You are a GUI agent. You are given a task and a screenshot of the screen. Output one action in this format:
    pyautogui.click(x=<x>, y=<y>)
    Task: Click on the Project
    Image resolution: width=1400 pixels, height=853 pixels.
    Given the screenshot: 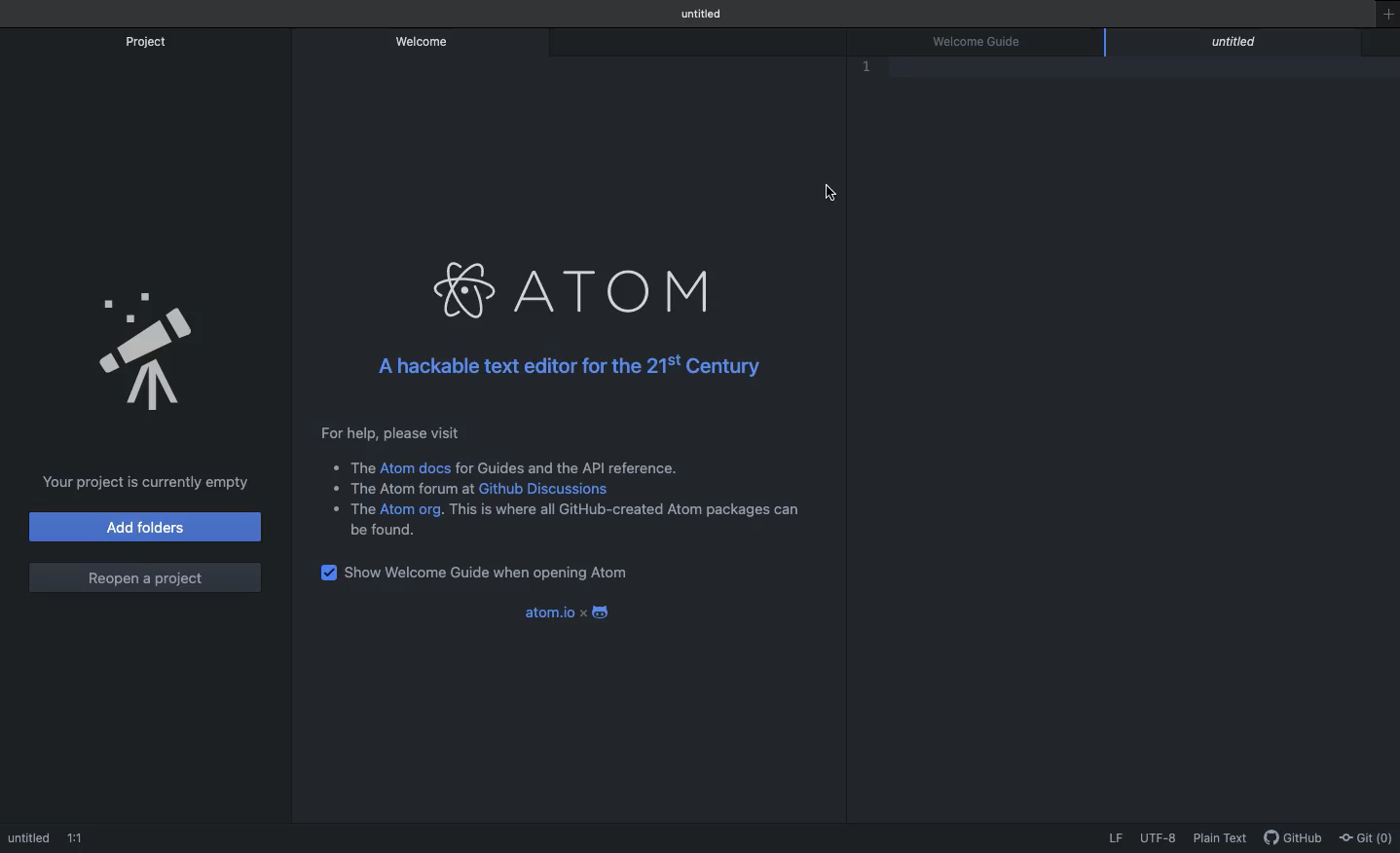 What is the action you would take?
    pyautogui.click(x=146, y=352)
    